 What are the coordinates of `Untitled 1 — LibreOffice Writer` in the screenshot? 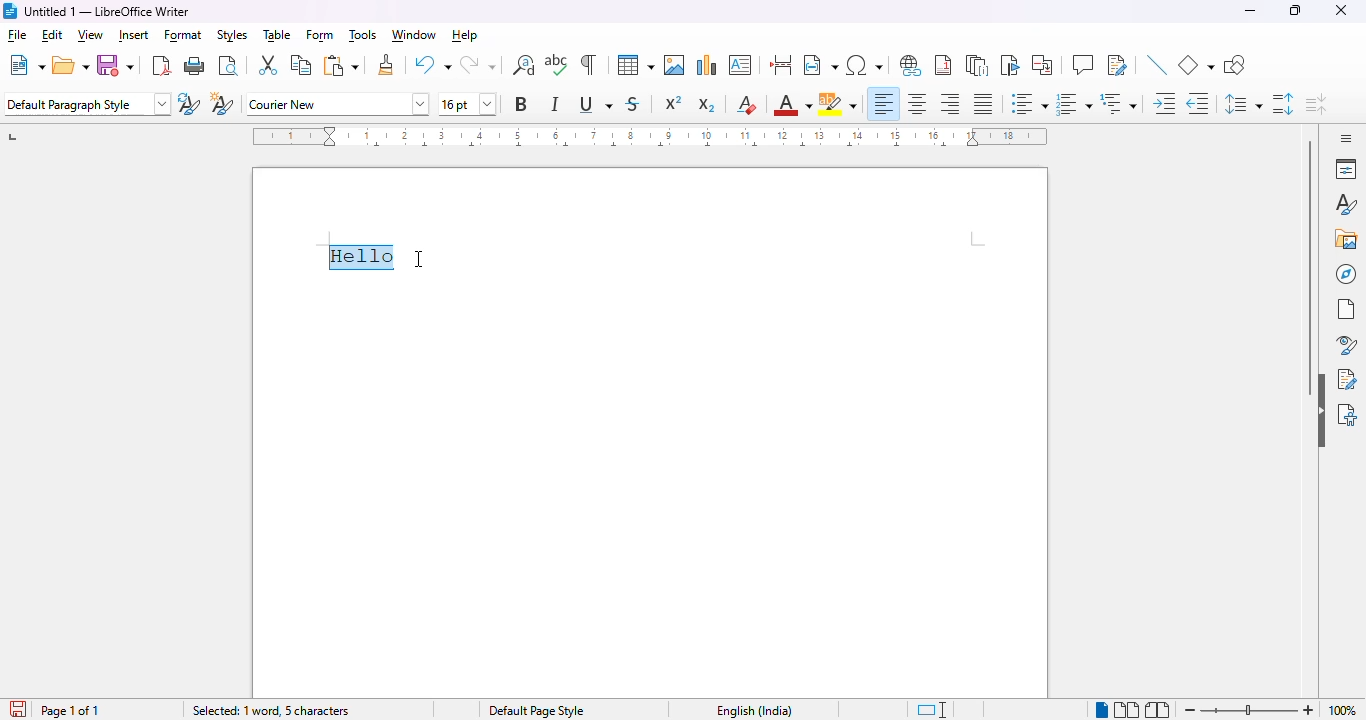 It's located at (109, 11).